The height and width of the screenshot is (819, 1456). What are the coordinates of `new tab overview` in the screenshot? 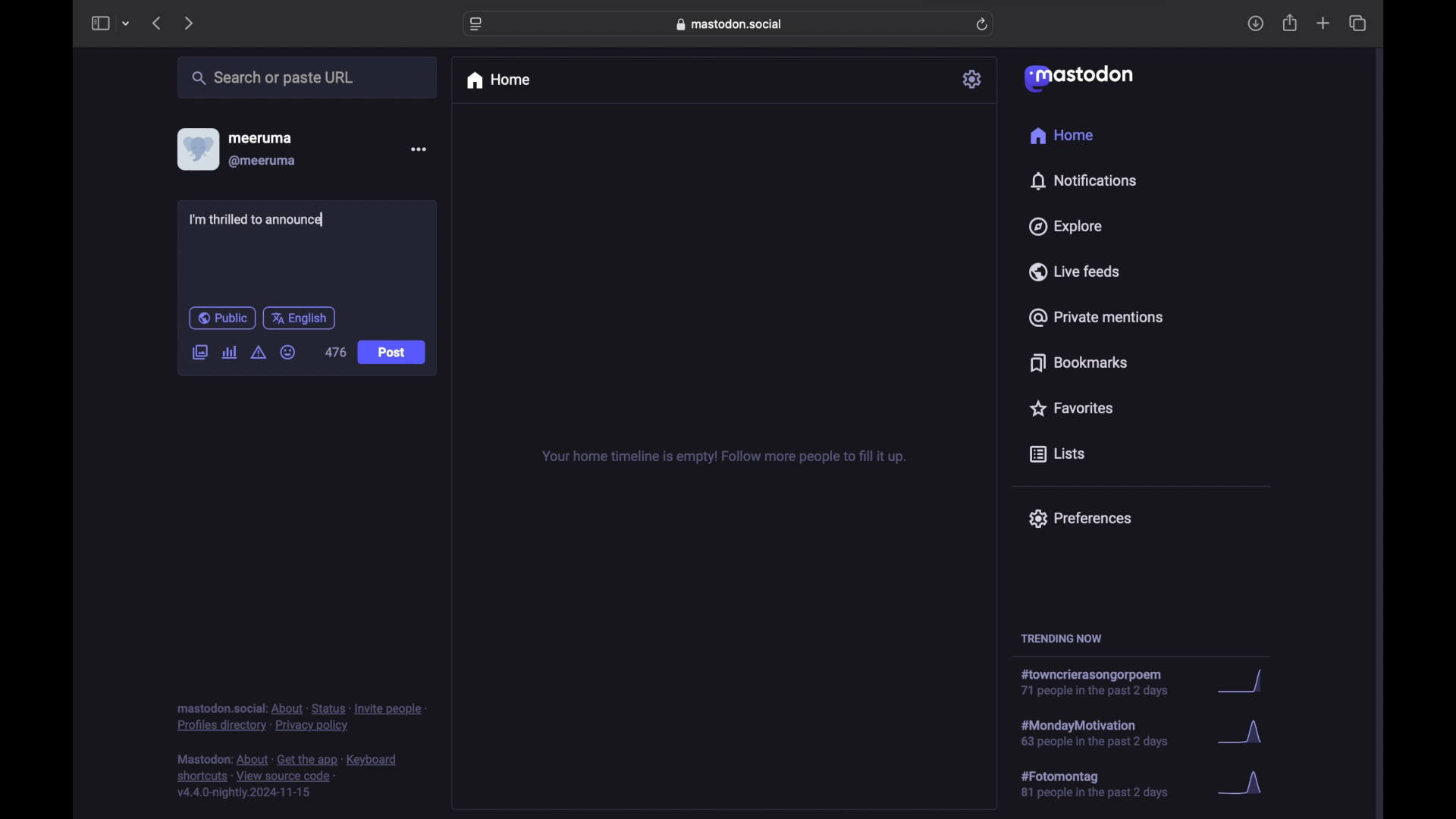 It's located at (1323, 23).